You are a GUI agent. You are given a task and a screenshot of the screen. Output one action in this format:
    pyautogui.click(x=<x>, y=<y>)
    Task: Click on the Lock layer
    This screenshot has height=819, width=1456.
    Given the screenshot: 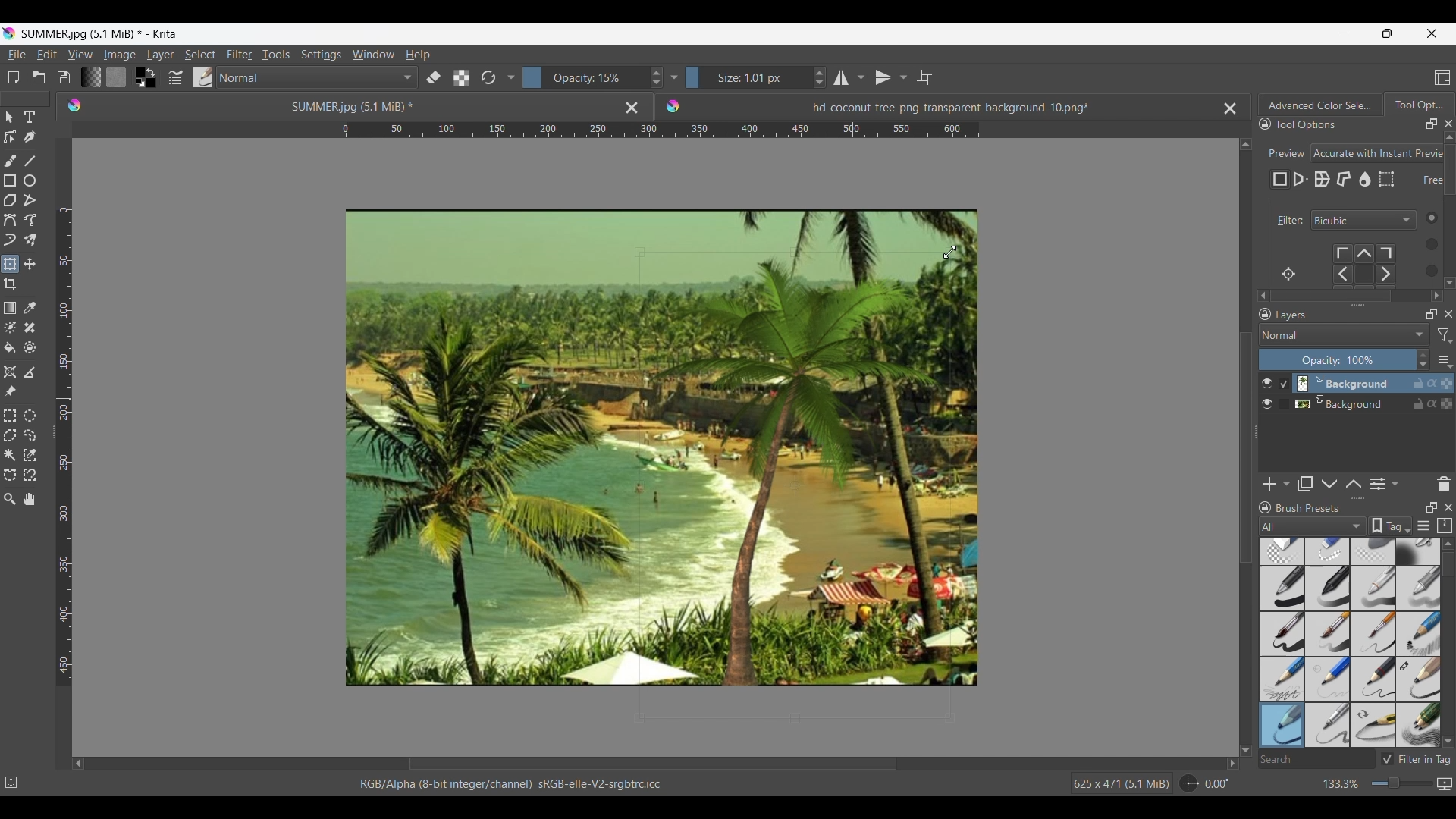 What is the action you would take?
    pyautogui.click(x=1418, y=403)
    